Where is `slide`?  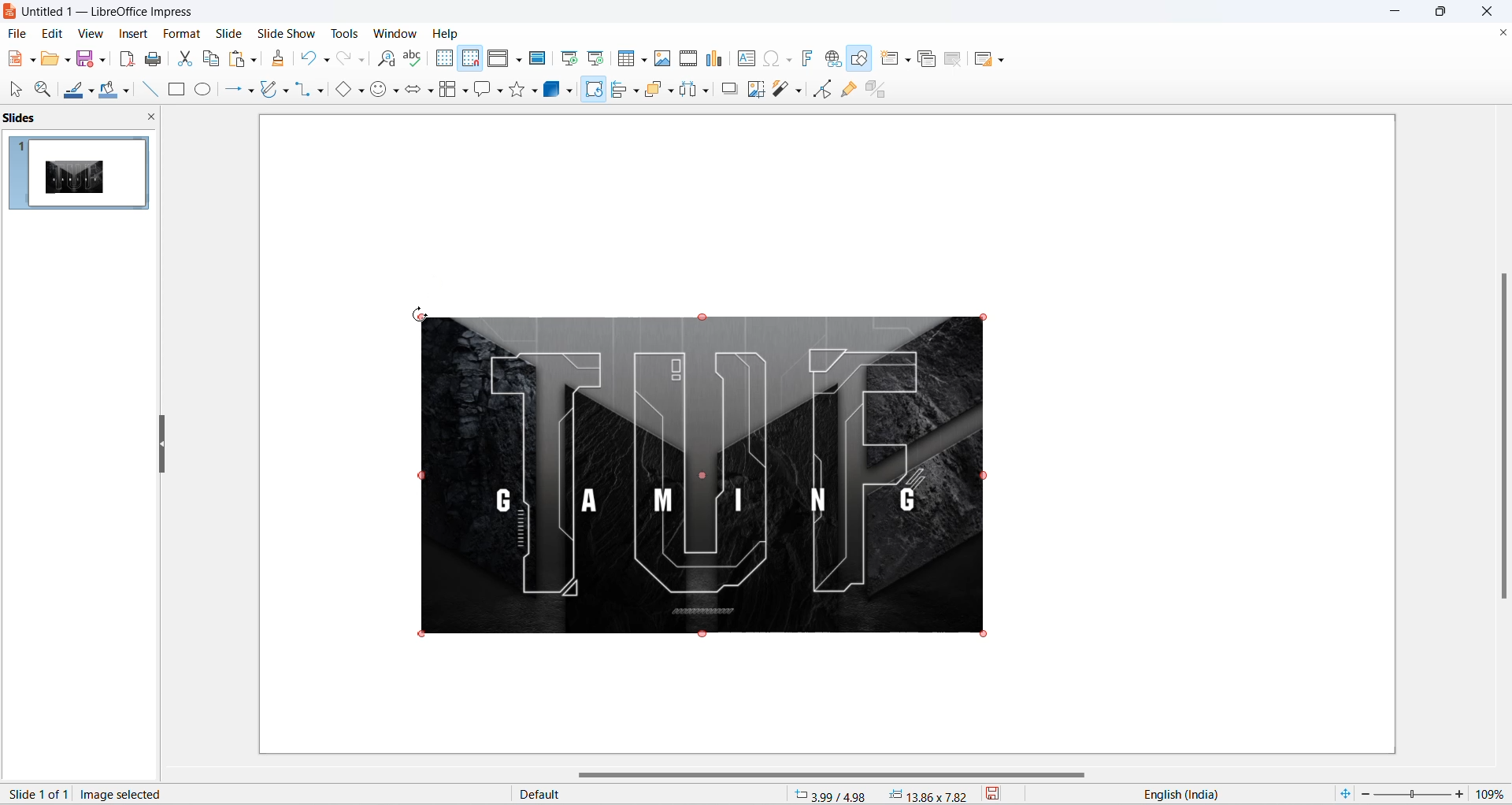
slide is located at coordinates (229, 33).